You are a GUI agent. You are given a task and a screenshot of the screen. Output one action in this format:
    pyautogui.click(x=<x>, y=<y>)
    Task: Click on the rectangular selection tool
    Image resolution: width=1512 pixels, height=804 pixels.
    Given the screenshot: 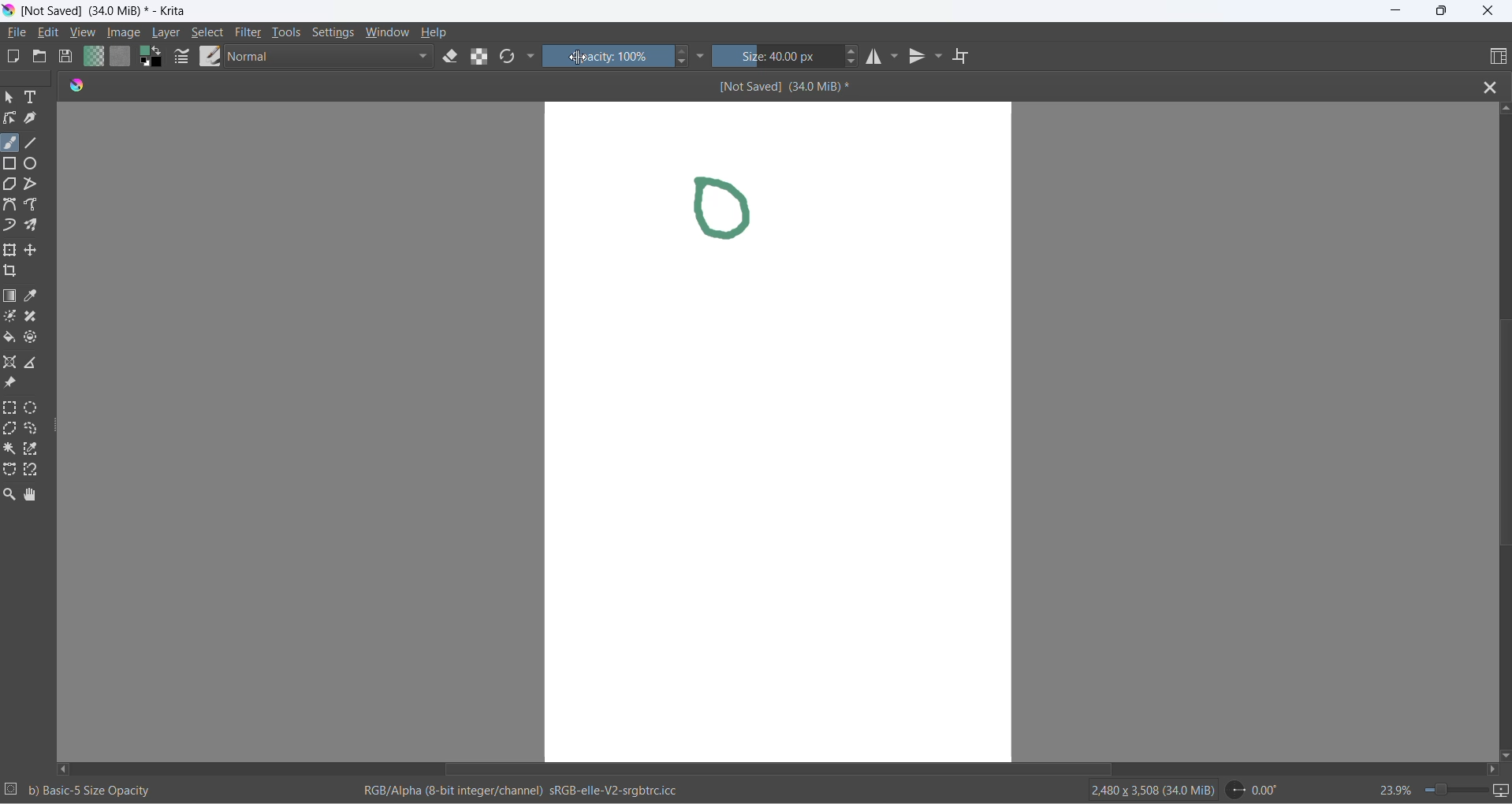 What is the action you would take?
    pyautogui.click(x=10, y=410)
    